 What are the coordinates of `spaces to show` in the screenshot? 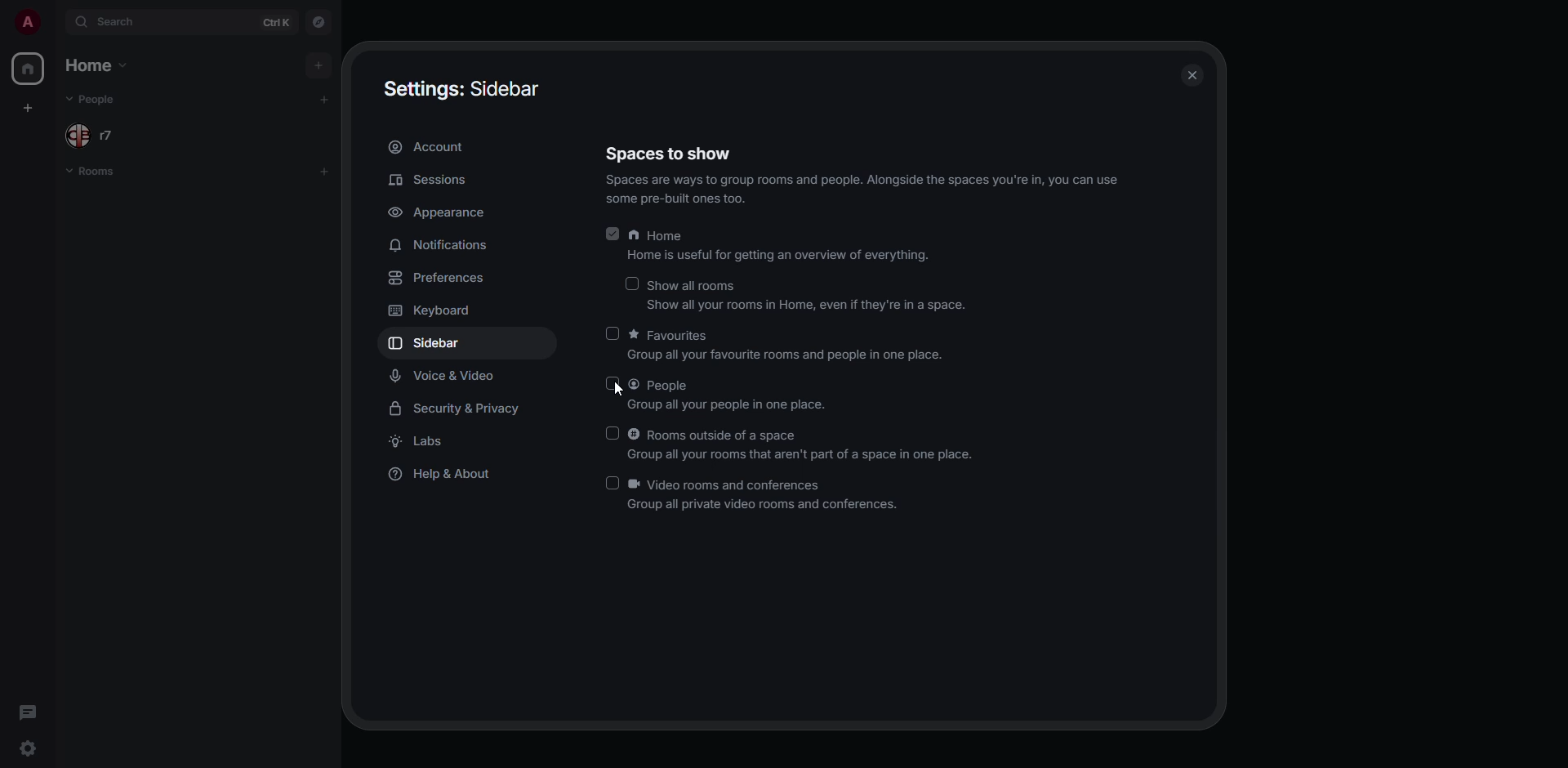 It's located at (675, 153).